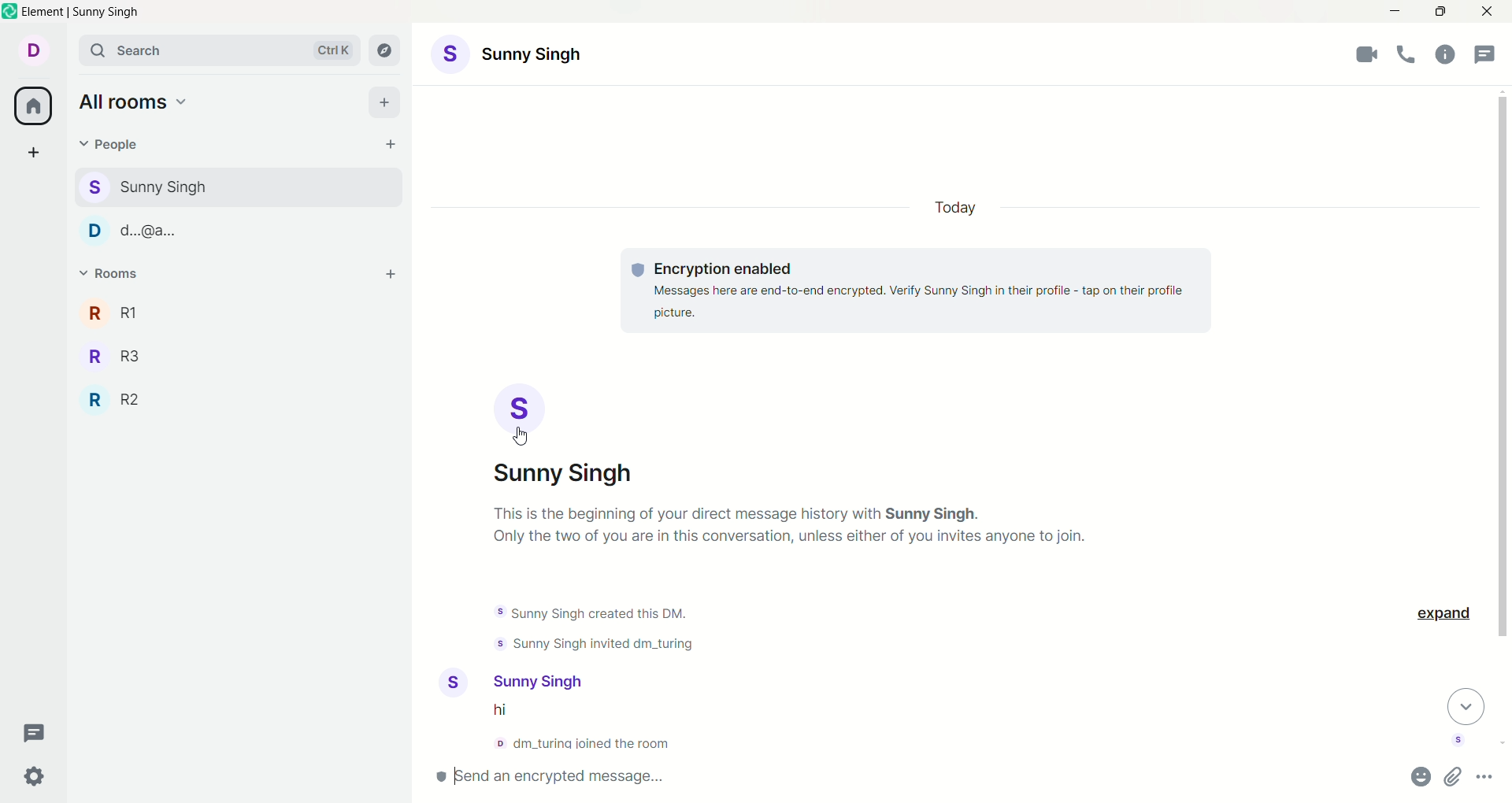 The image size is (1512, 803). What do you see at coordinates (1459, 741) in the screenshot?
I see `Read` at bounding box center [1459, 741].